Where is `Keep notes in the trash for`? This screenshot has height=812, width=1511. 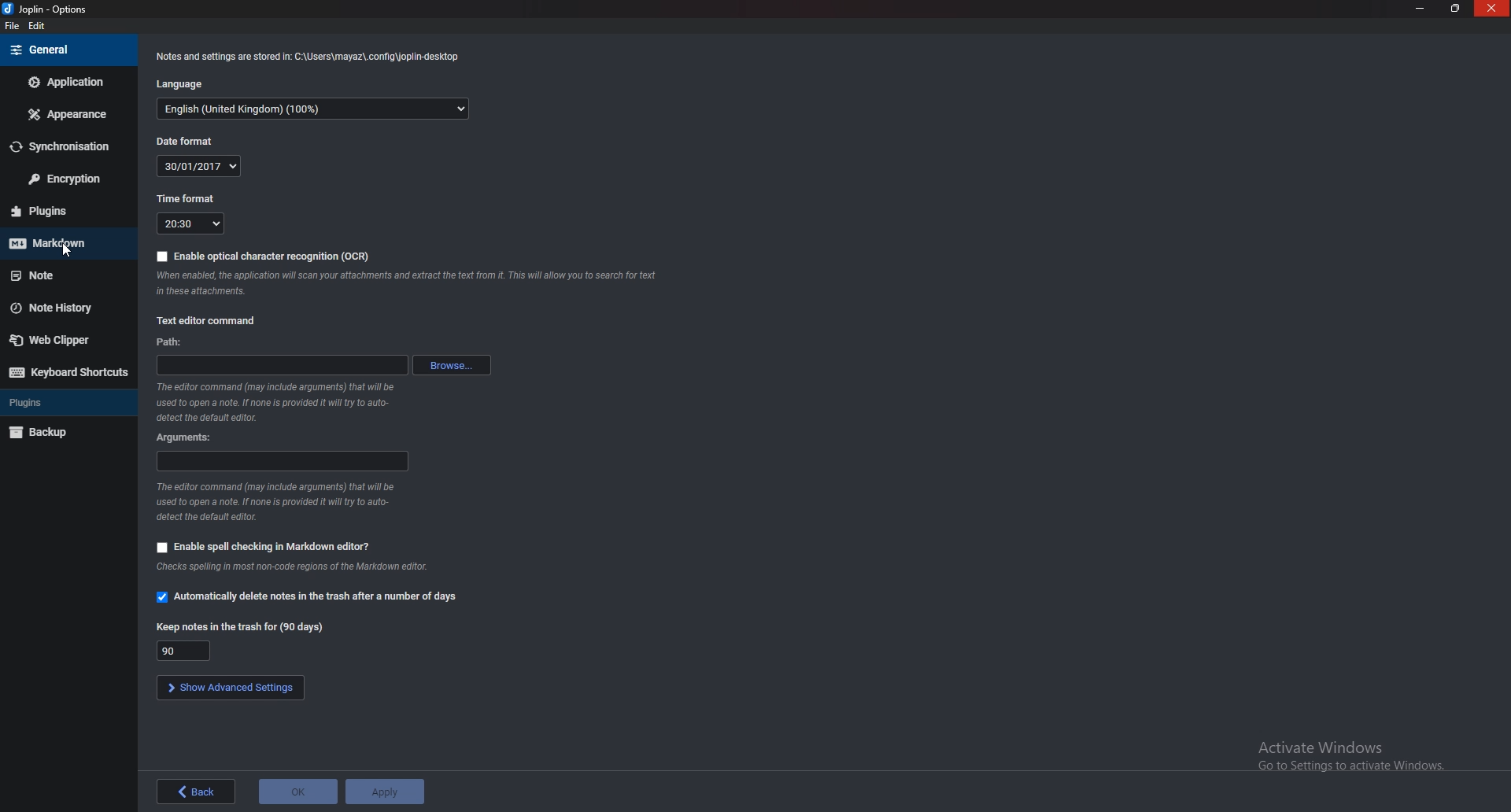
Keep notes in the trash for is located at coordinates (244, 625).